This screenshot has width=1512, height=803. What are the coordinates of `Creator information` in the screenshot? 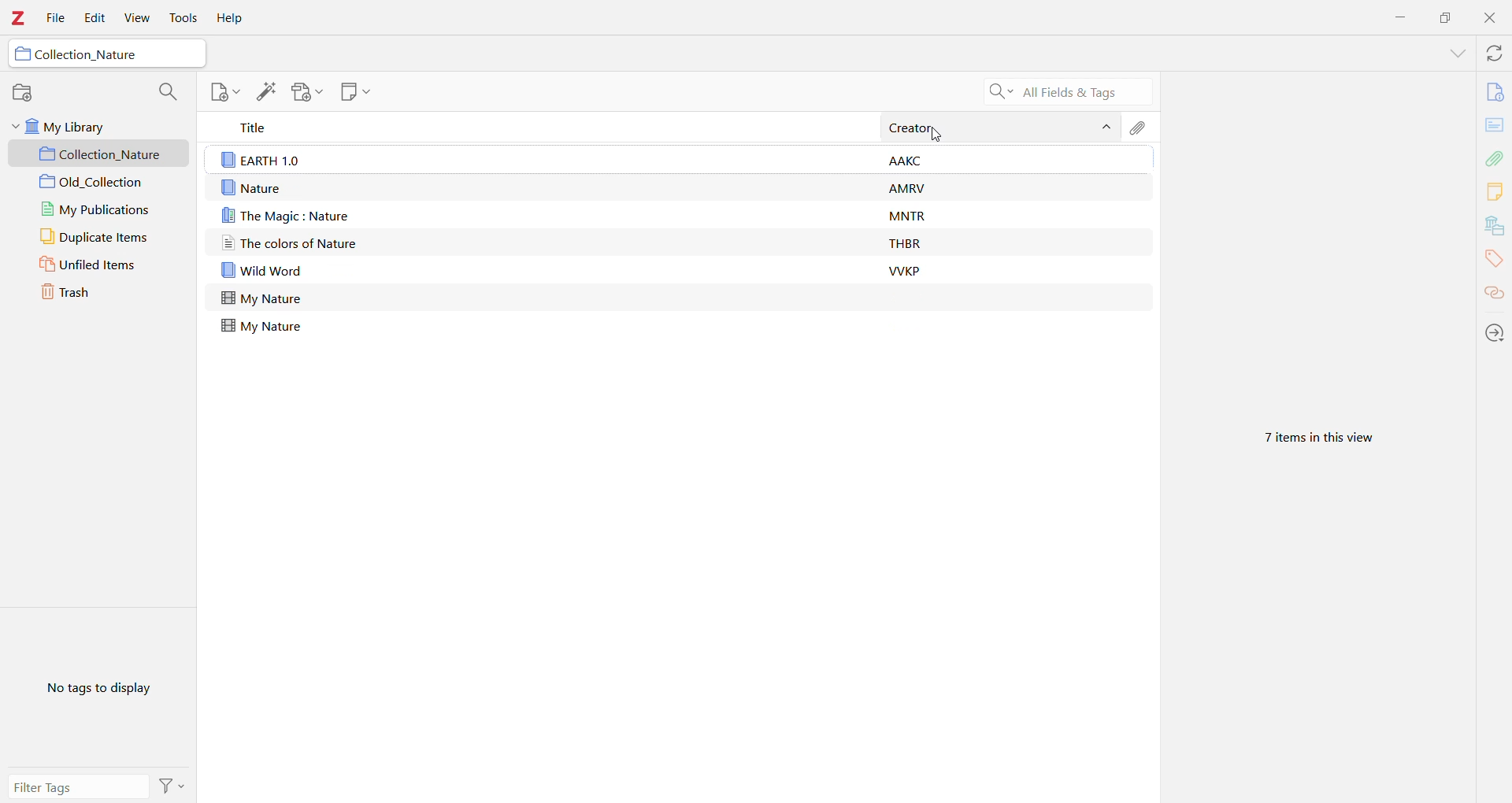 It's located at (906, 187).